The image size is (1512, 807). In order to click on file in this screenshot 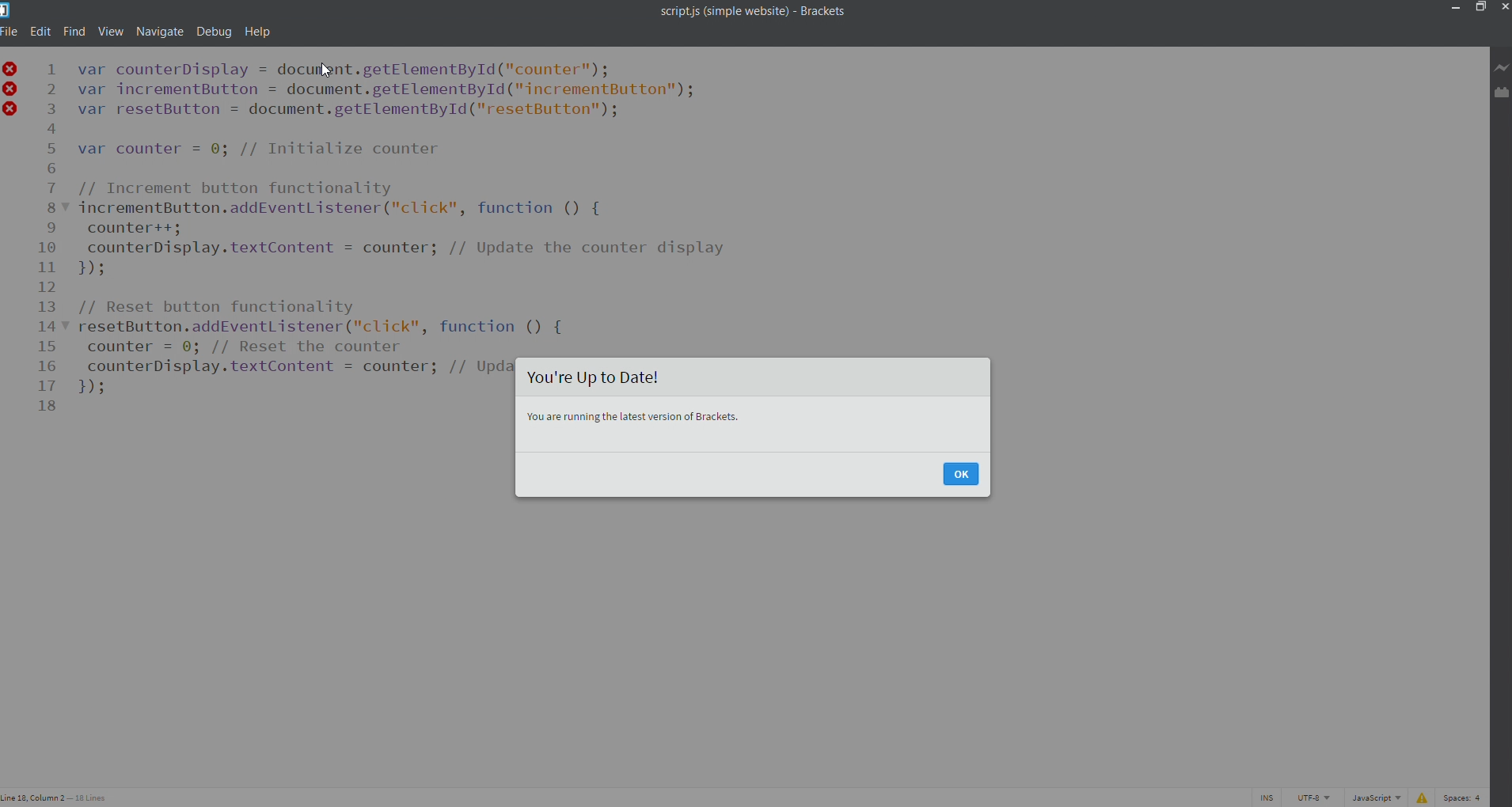, I will do `click(9, 31)`.